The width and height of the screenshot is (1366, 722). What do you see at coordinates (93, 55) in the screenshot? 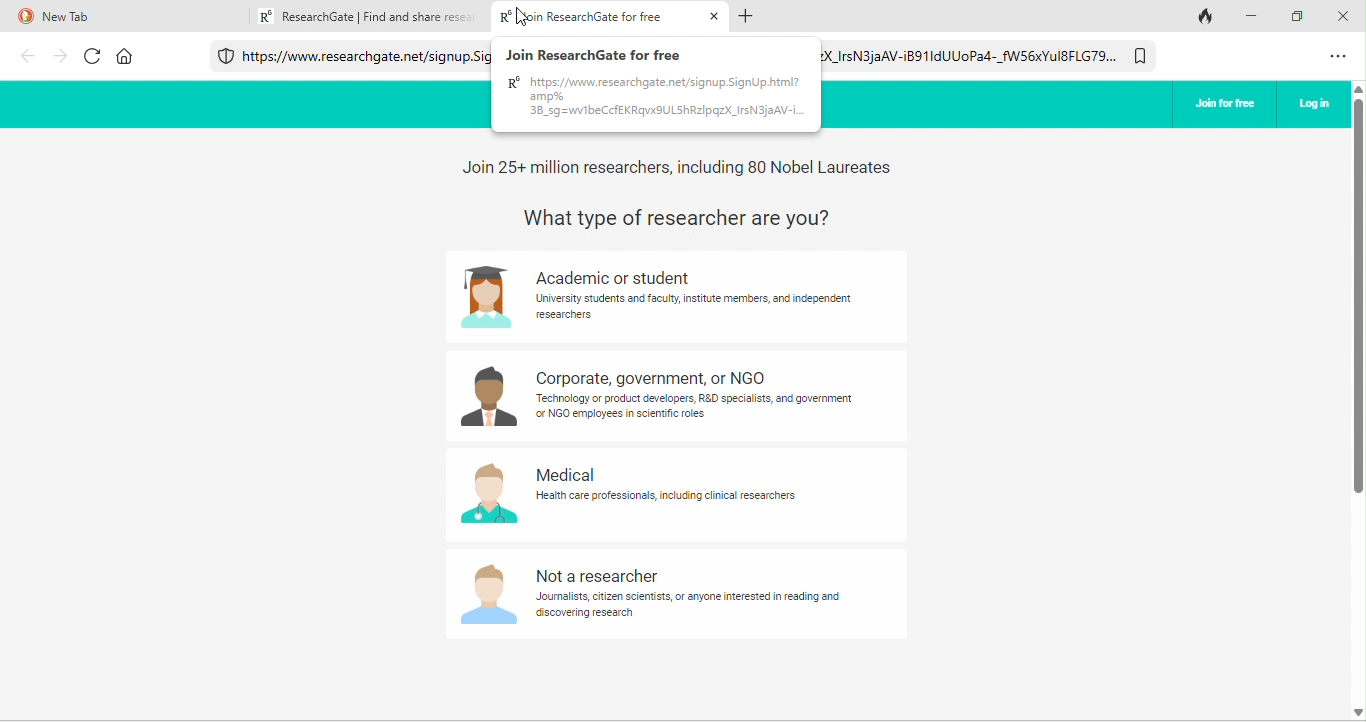
I see `refresh` at bounding box center [93, 55].